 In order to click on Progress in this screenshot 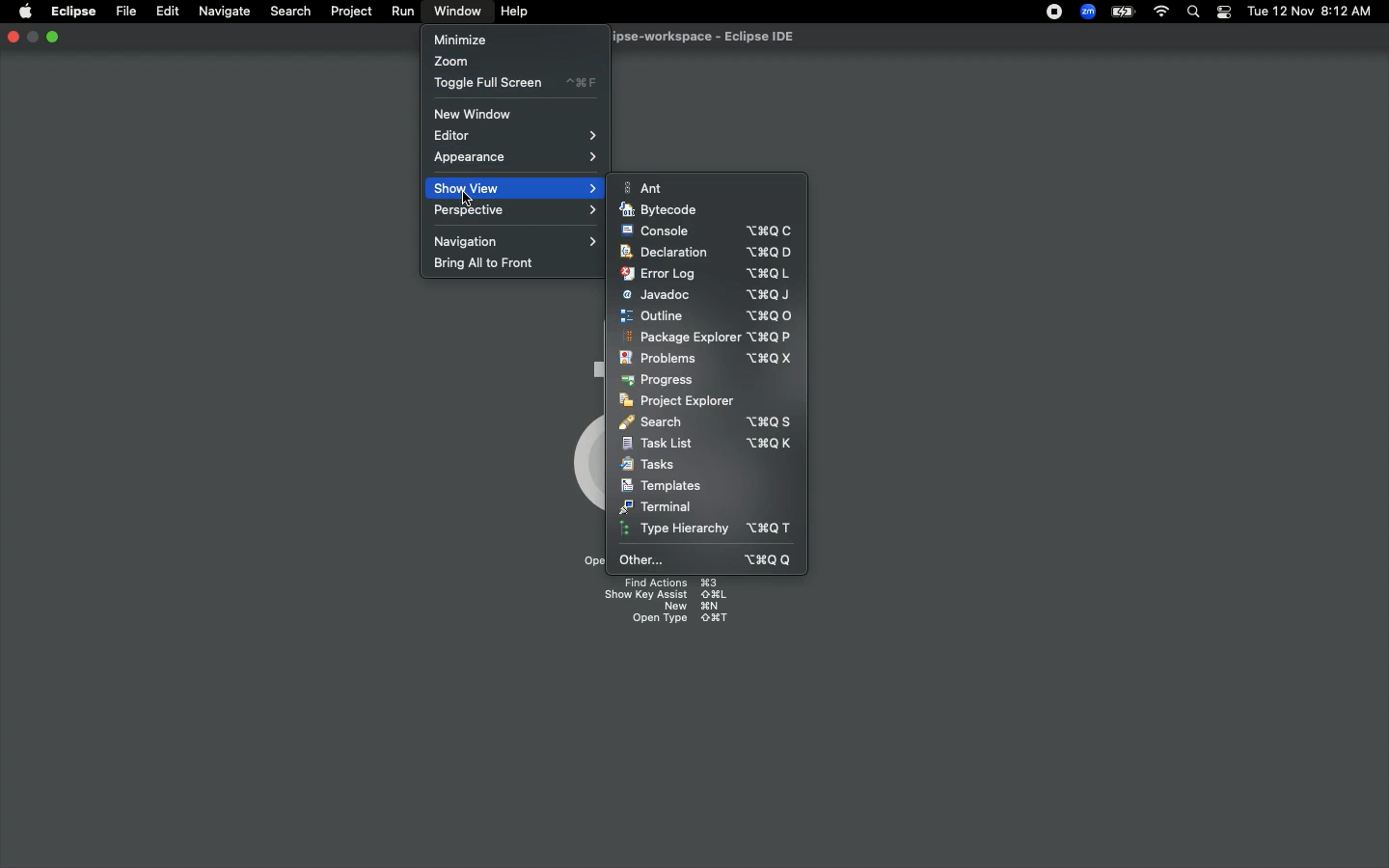, I will do `click(661, 381)`.